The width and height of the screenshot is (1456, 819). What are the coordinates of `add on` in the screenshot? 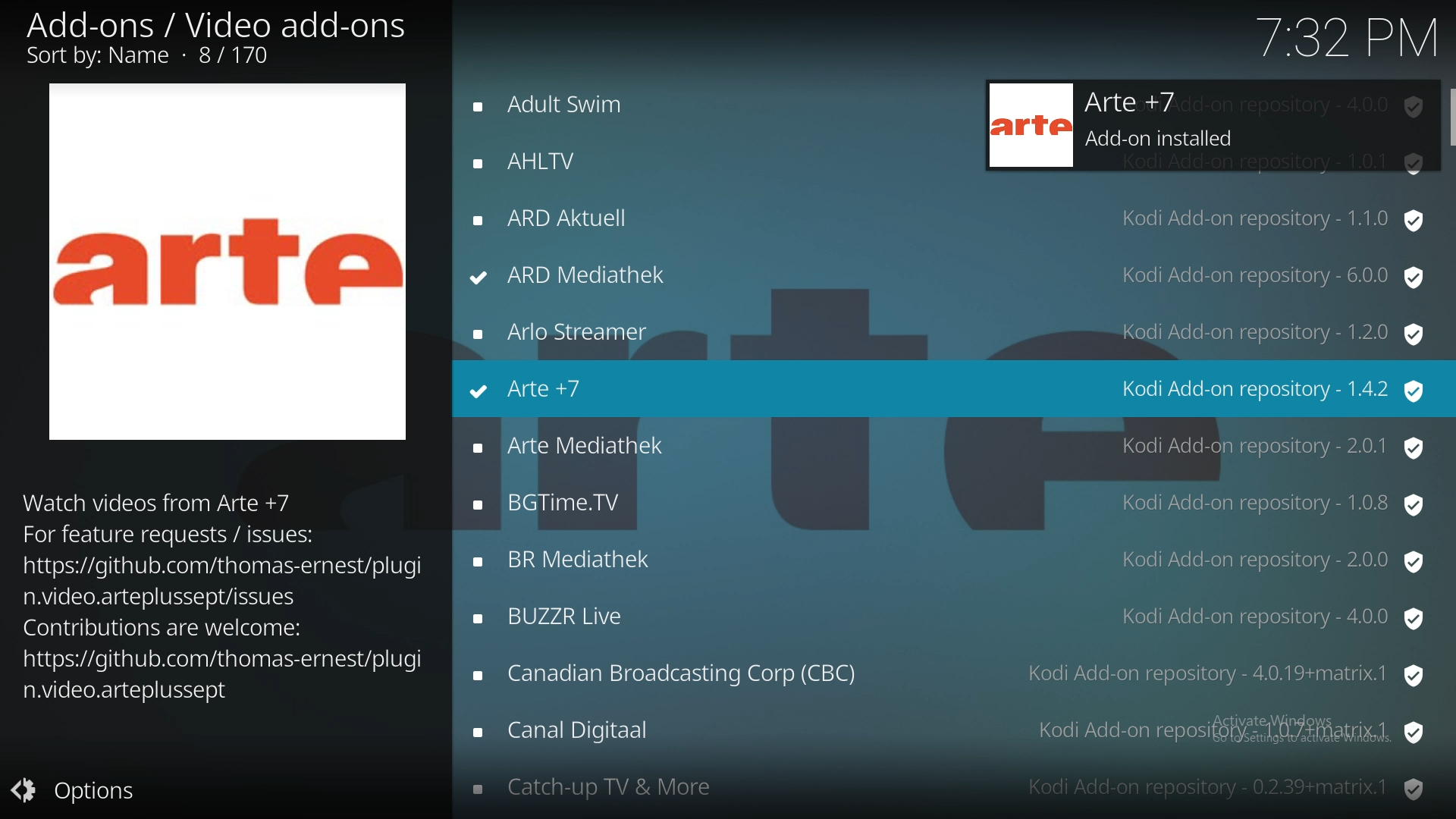 It's located at (951, 616).